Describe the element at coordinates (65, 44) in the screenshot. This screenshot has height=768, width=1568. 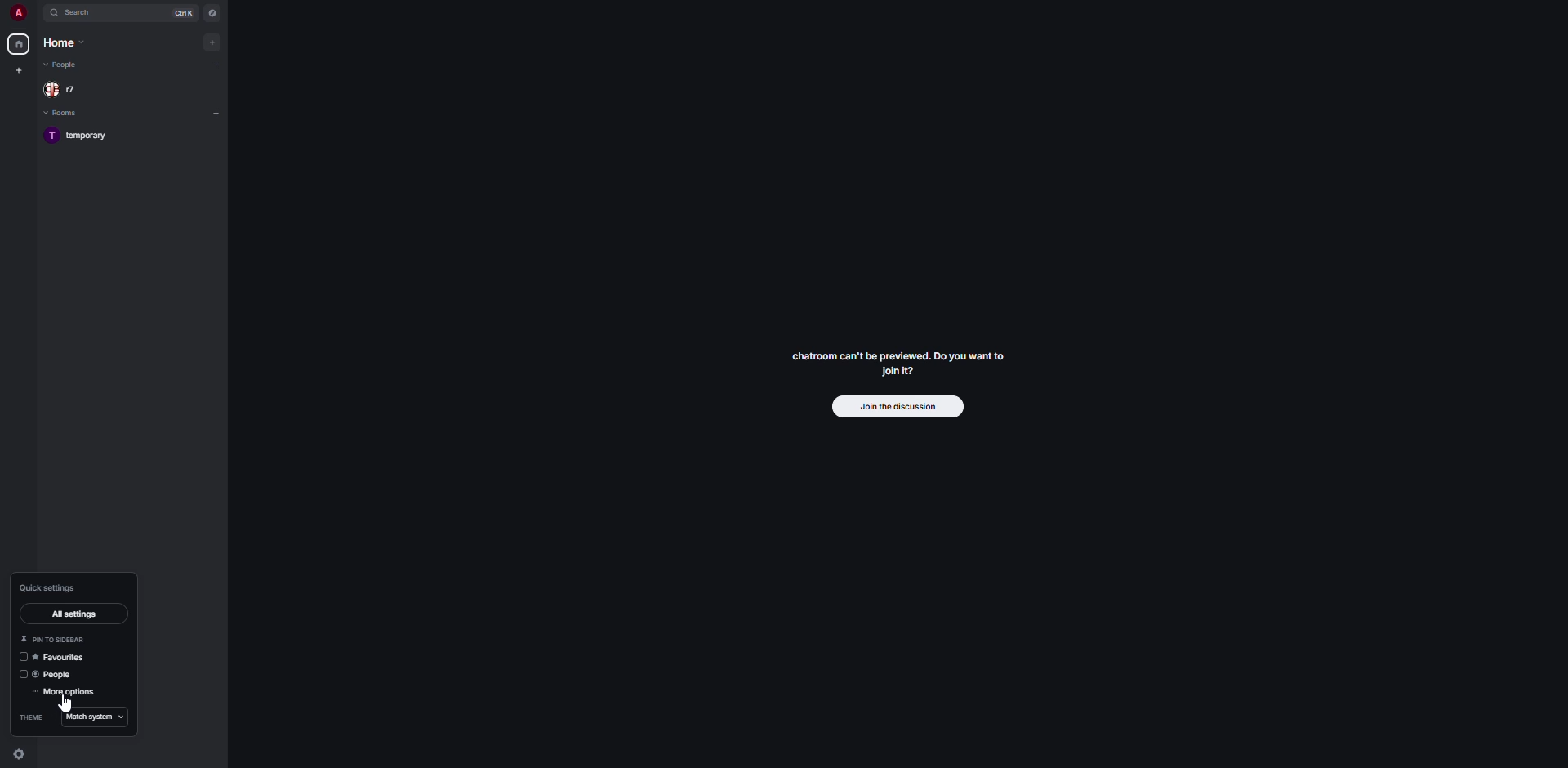
I see `home` at that location.